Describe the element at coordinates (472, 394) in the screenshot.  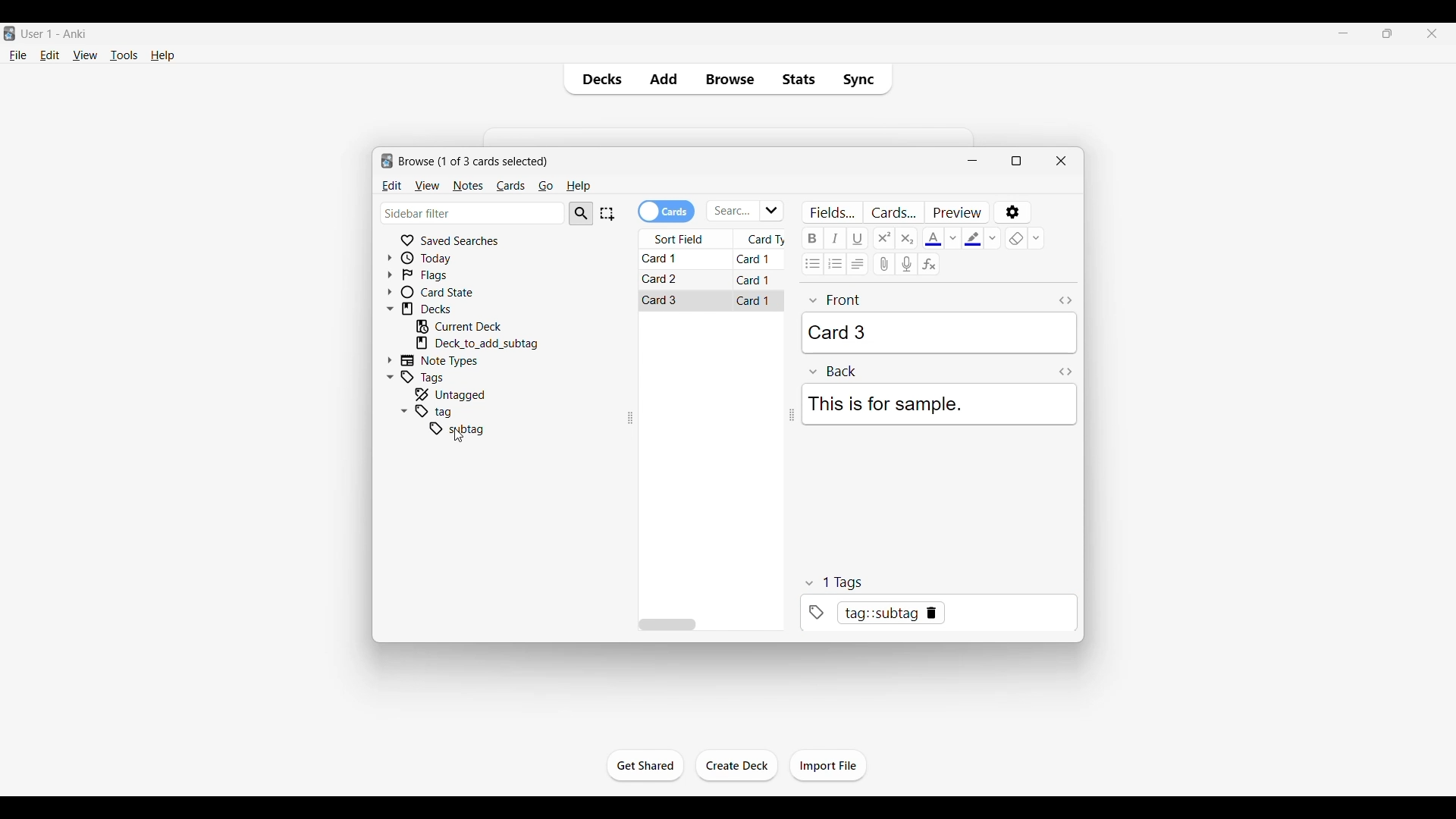
I see `Click to go to untagged` at that location.